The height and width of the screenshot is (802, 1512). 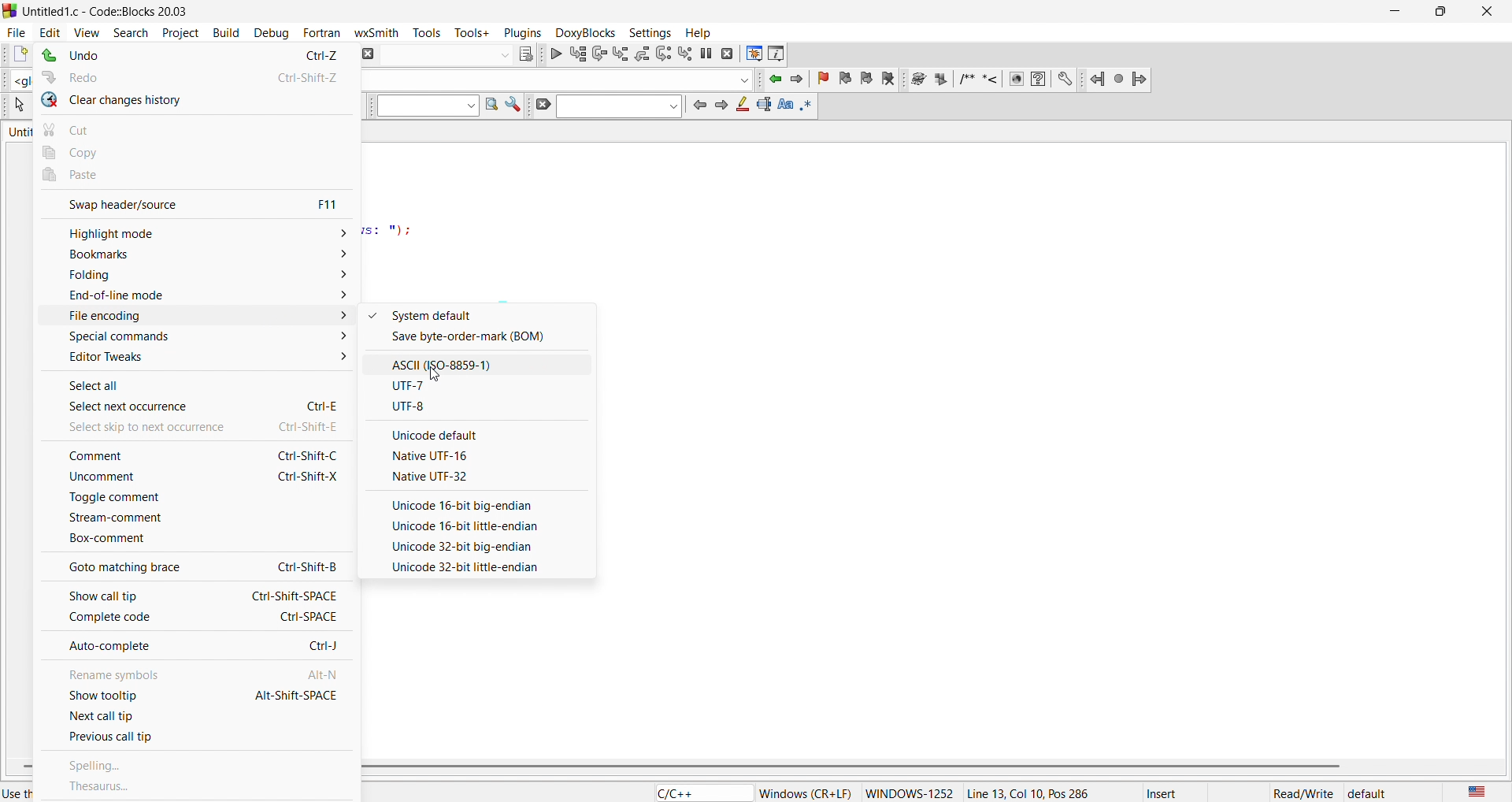 What do you see at coordinates (476, 407) in the screenshot?
I see `UTF-8` at bounding box center [476, 407].